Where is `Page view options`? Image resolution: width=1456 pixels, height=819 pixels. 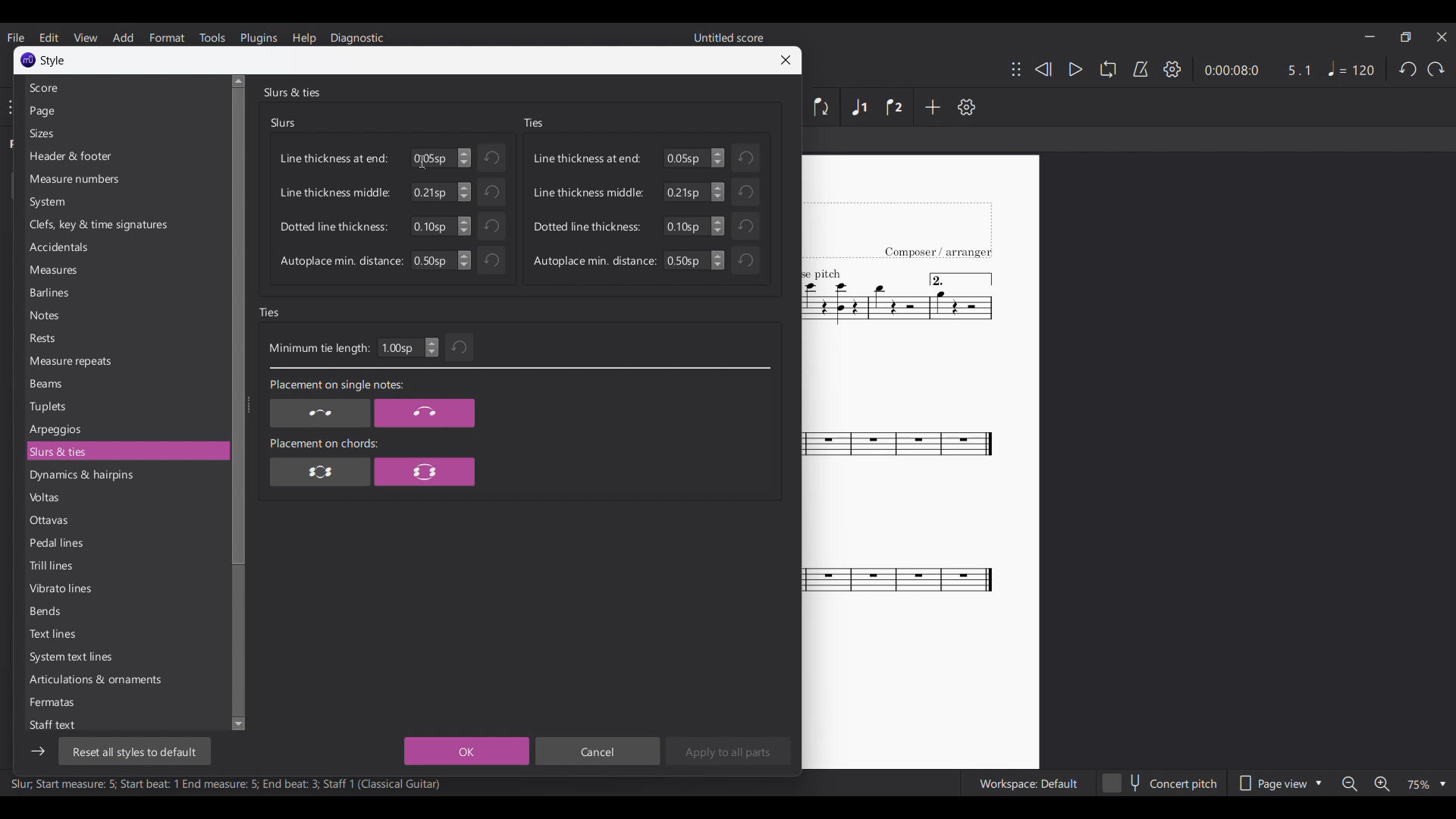 Page view options is located at coordinates (1279, 783).